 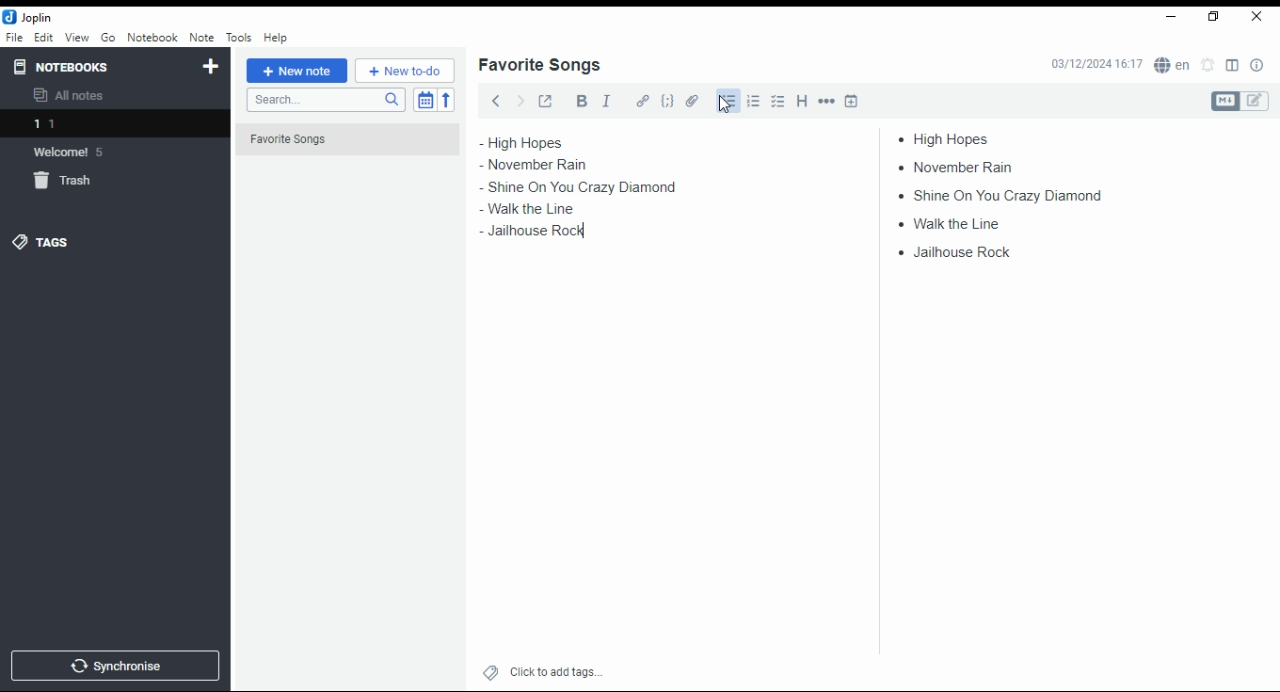 I want to click on view, so click(x=77, y=38).